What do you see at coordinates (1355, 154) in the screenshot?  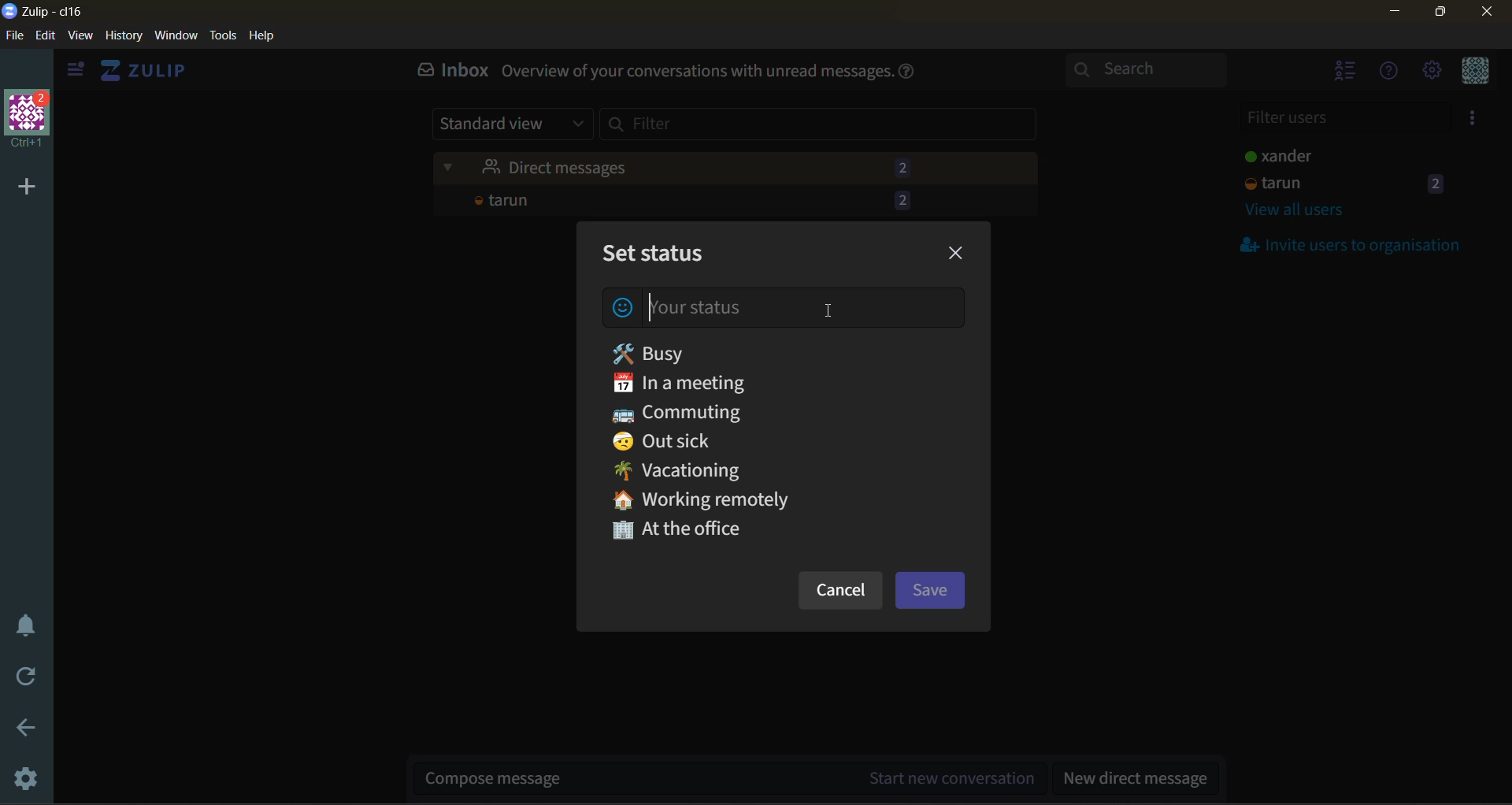 I see `users and staus` at bounding box center [1355, 154].